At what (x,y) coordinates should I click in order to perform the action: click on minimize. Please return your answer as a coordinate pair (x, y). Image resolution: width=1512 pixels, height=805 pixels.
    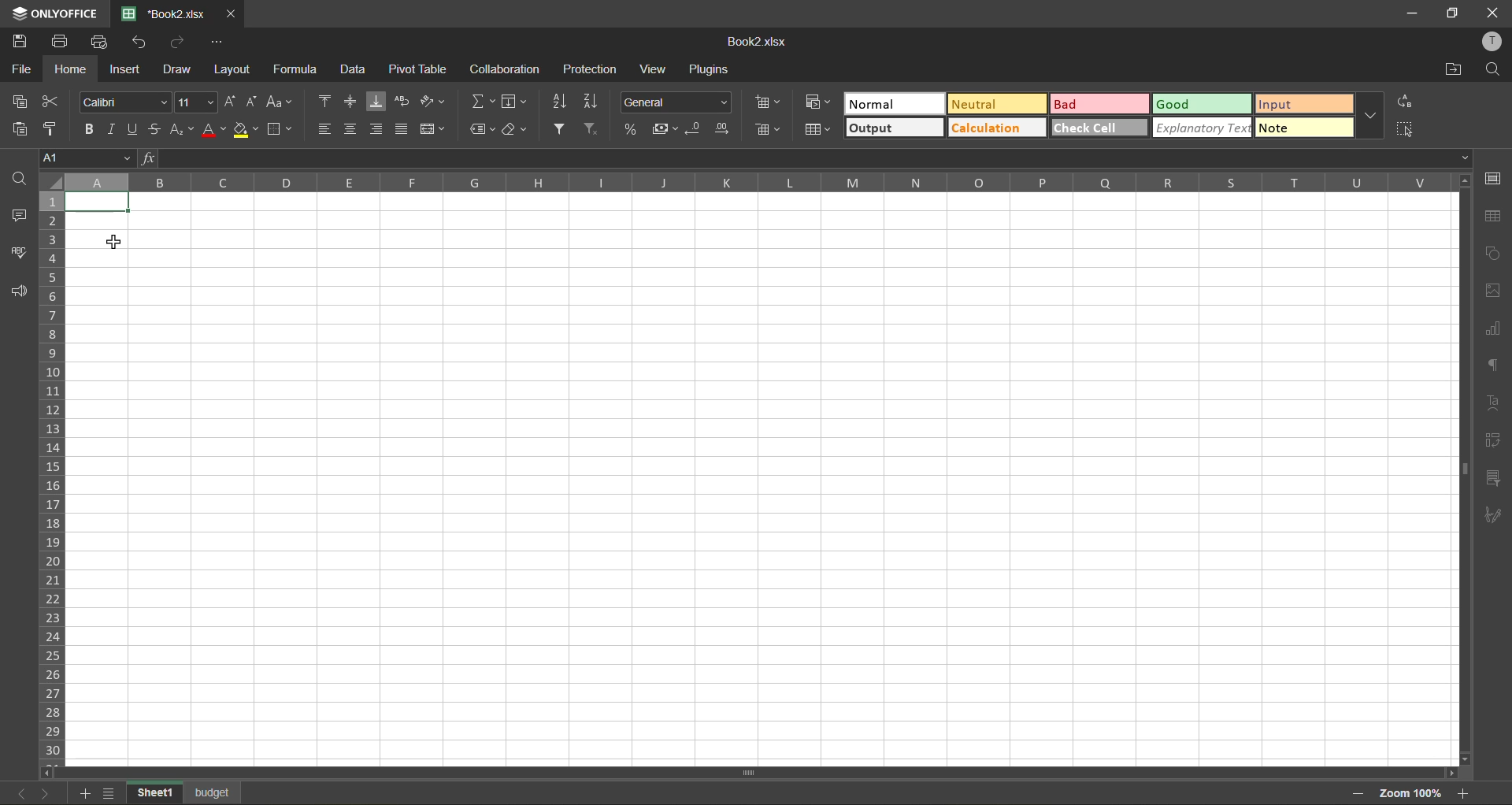
    Looking at the image, I should click on (1410, 14).